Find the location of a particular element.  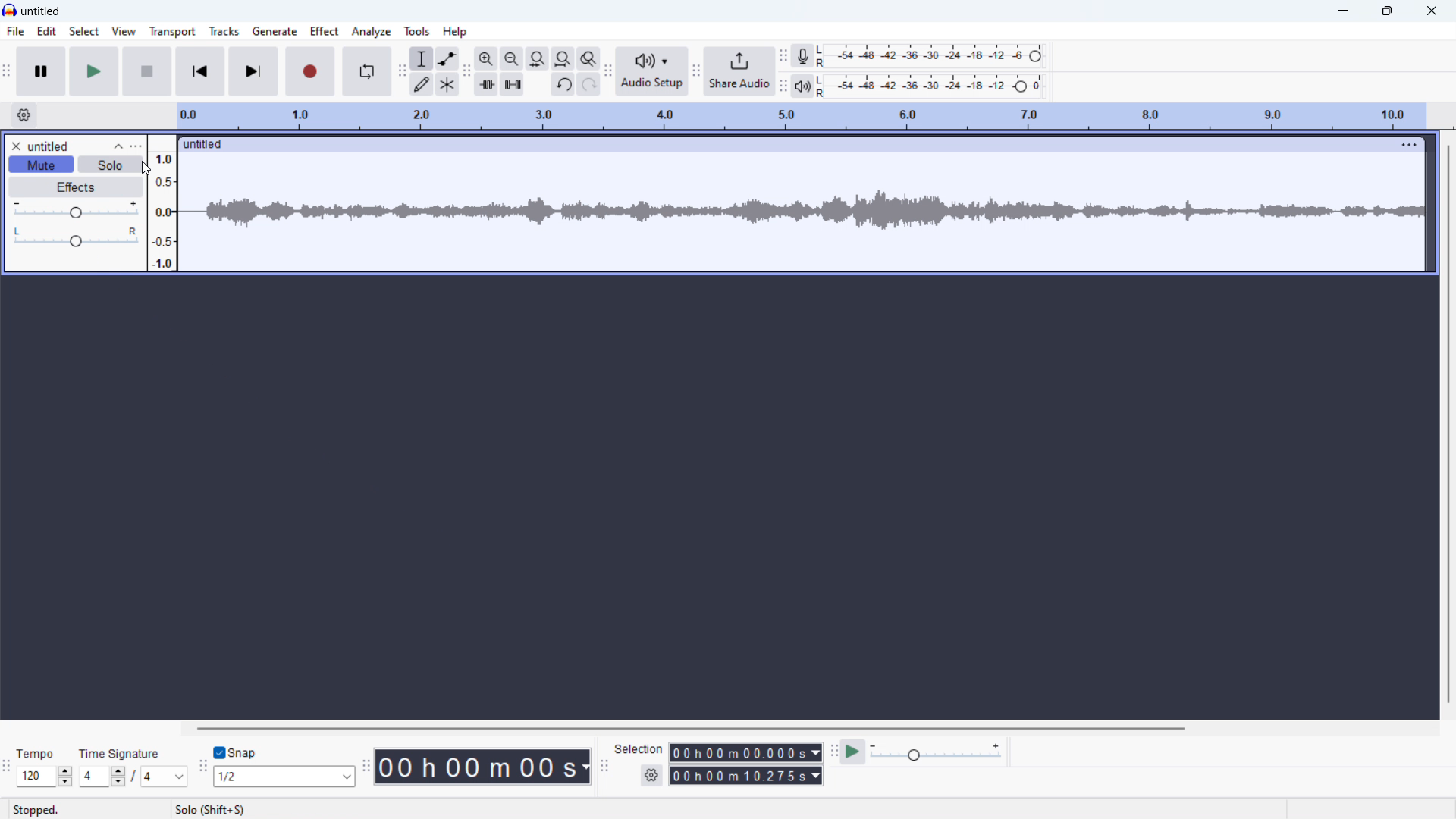

minimize is located at coordinates (1342, 11).